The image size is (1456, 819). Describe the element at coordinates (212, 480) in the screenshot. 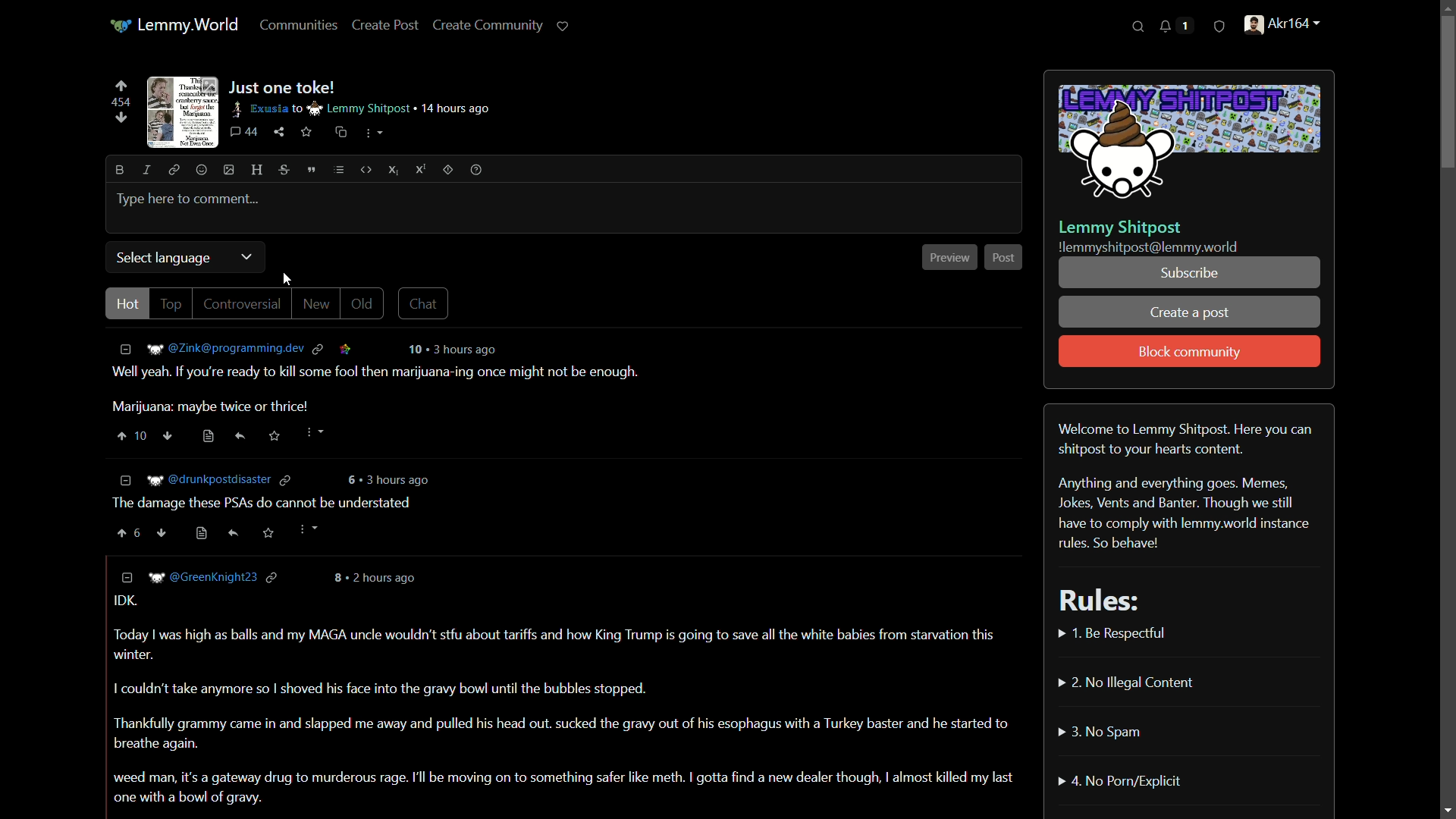

I see `@drunkpostdisaster` at that location.